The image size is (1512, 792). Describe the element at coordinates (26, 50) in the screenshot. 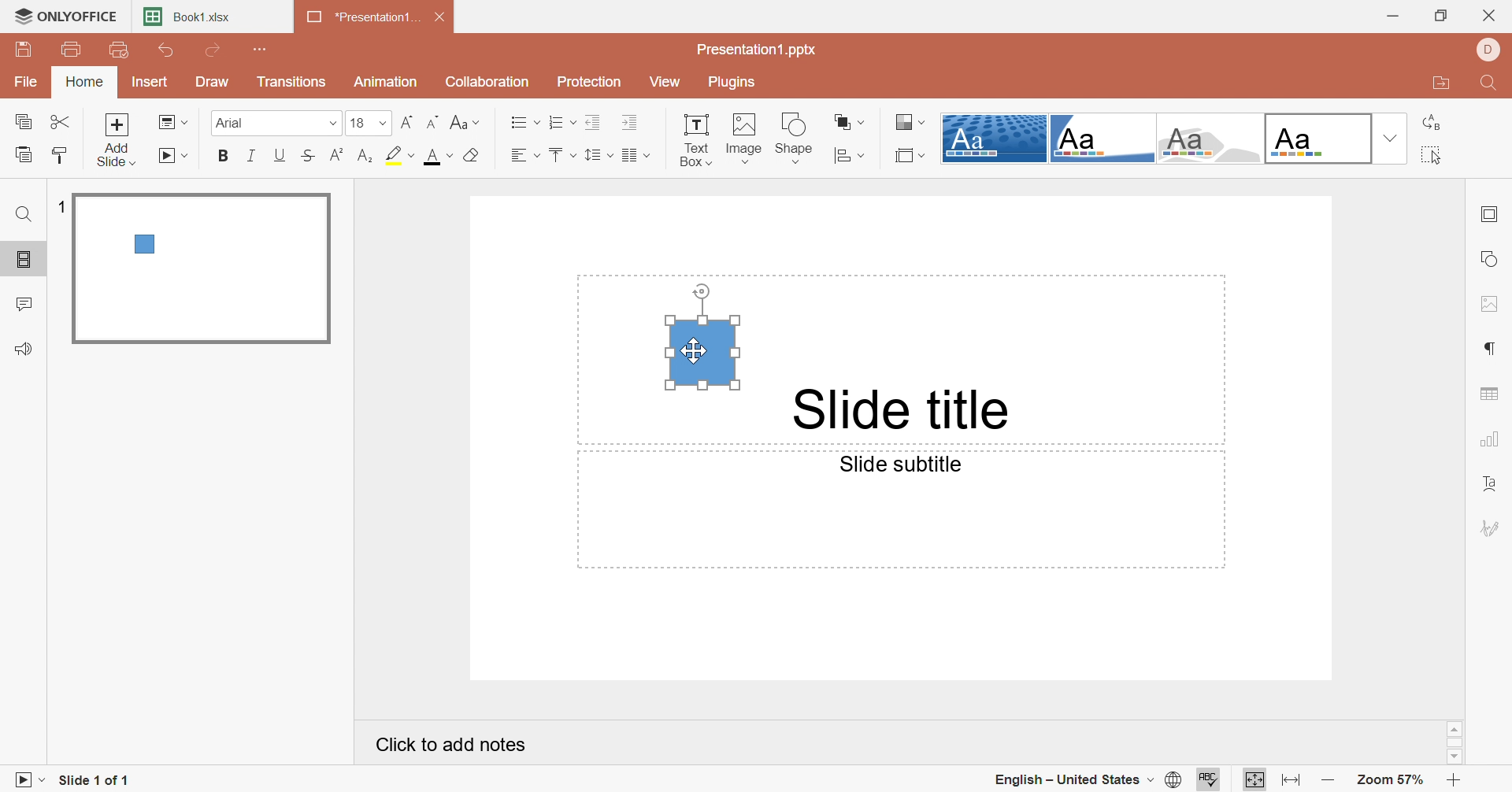

I see `Save` at that location.